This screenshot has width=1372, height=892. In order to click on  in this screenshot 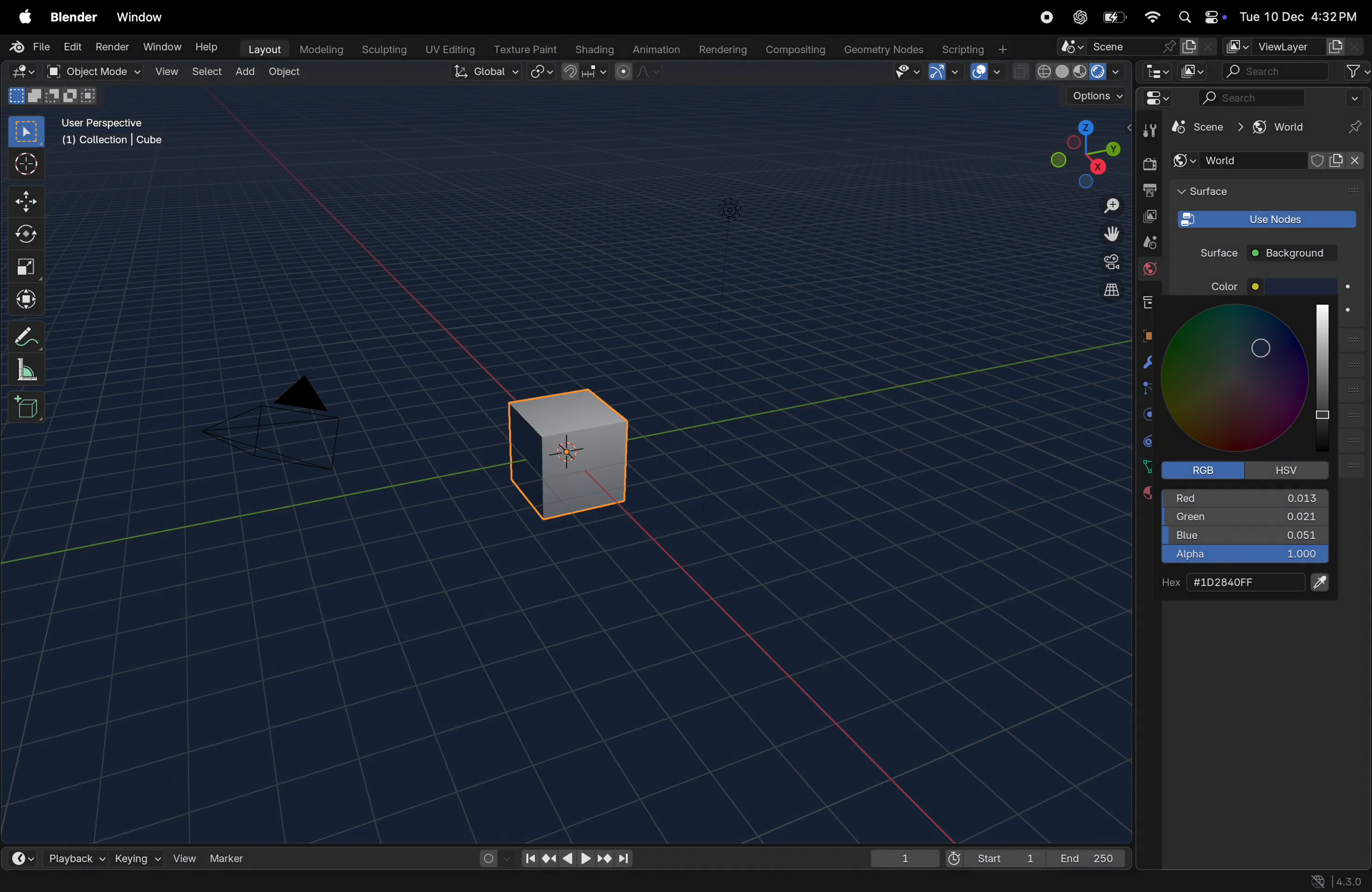, I will do `click(246, 72)`.